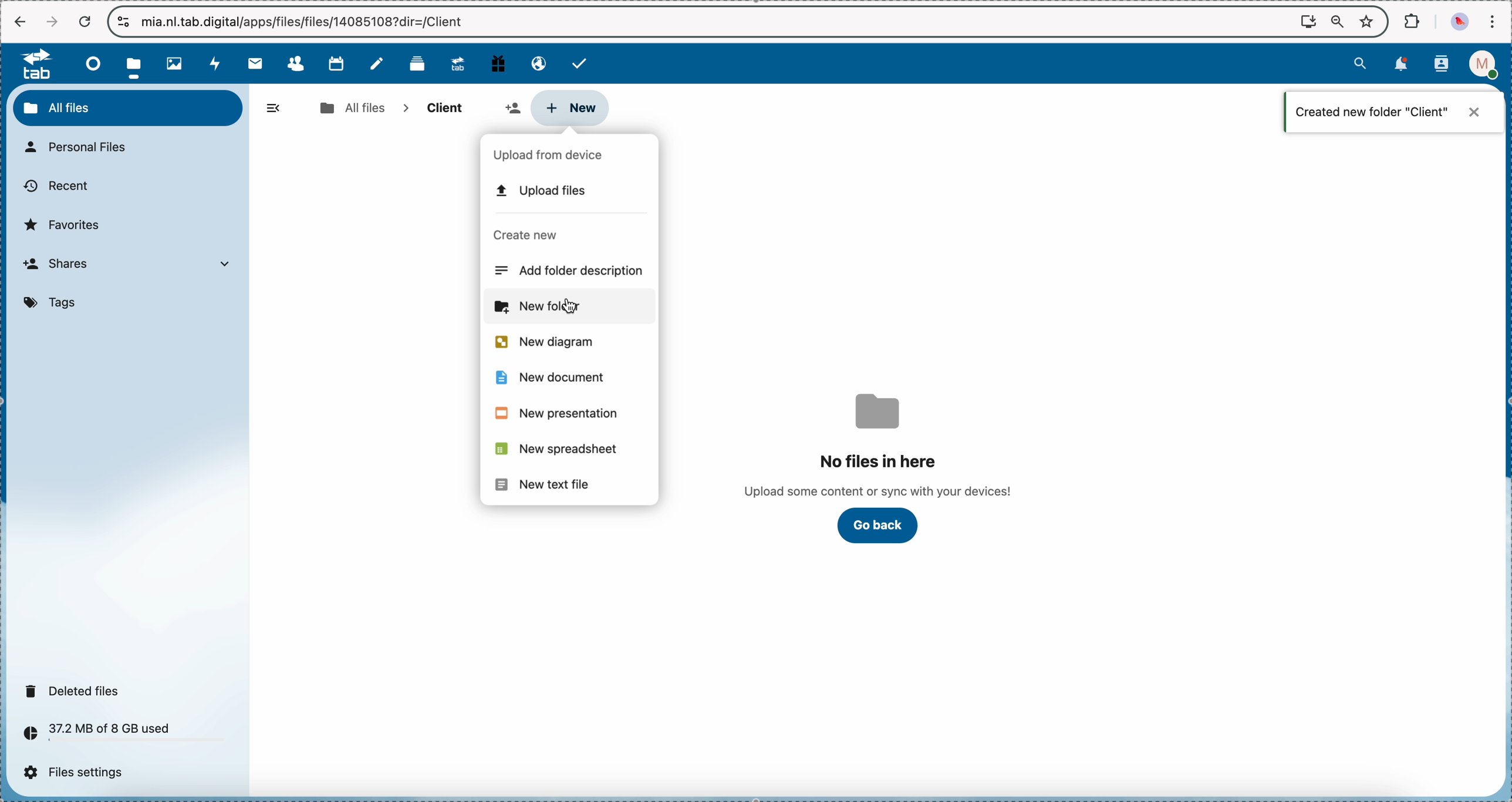 The width and height of the screenshot is (1512, 802). What do you see at coordinates (1413, 20) in the screenshot?
I see `extensions` at bounding box center [1413, 20].